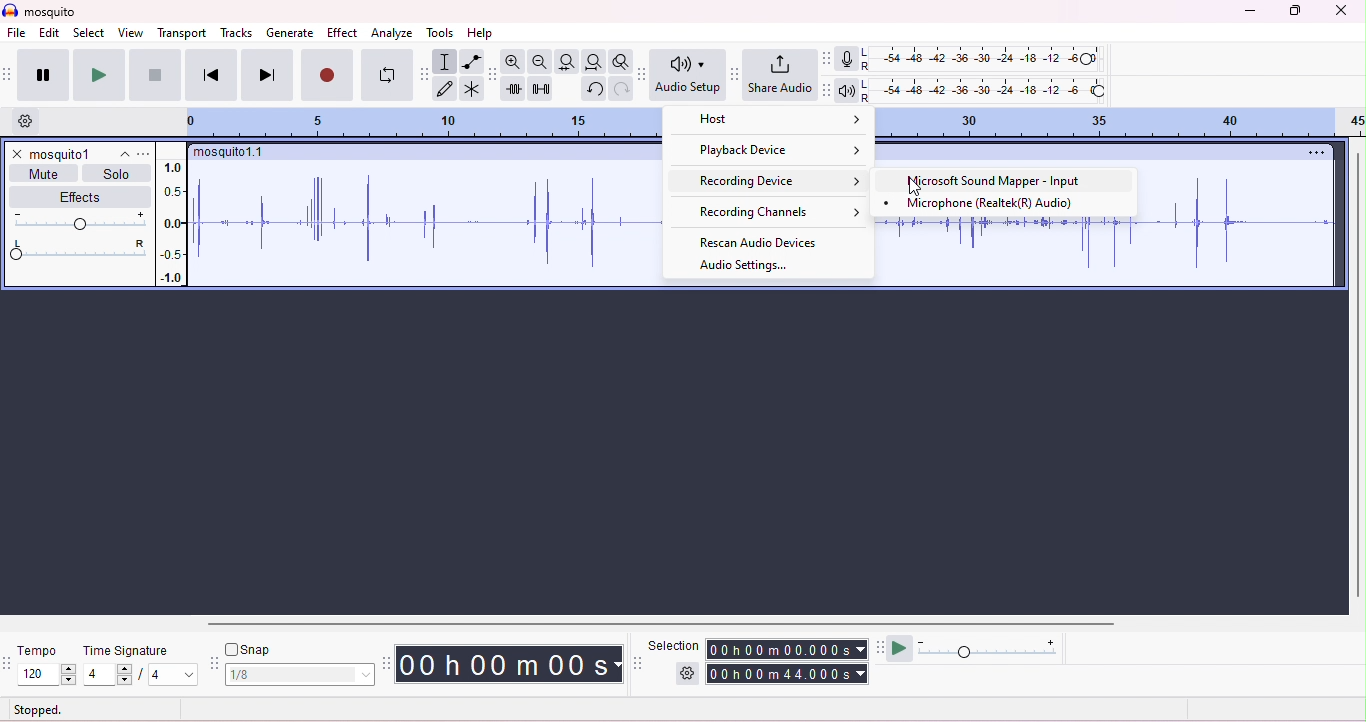 The image size is (1366, 722). What do you see at coordinates (775, 180) in the screenshot?
I see `recording device` at bounding box center [775, 180].